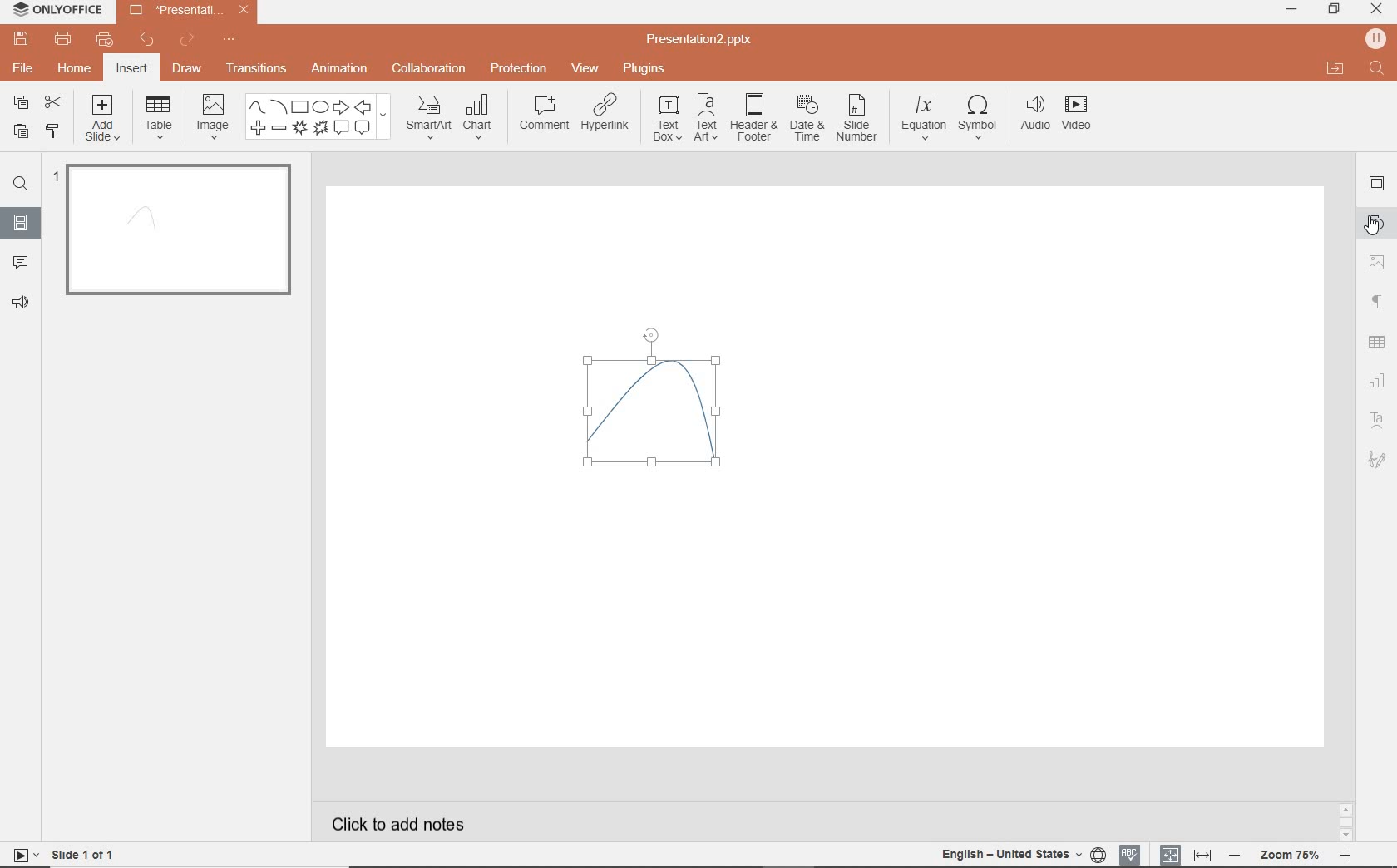 This screenshot has width=1397, height=868. Describe the element at coordinates (1023, 852) in the screenshot. I see `TEXT LANGUAGE` at that location.